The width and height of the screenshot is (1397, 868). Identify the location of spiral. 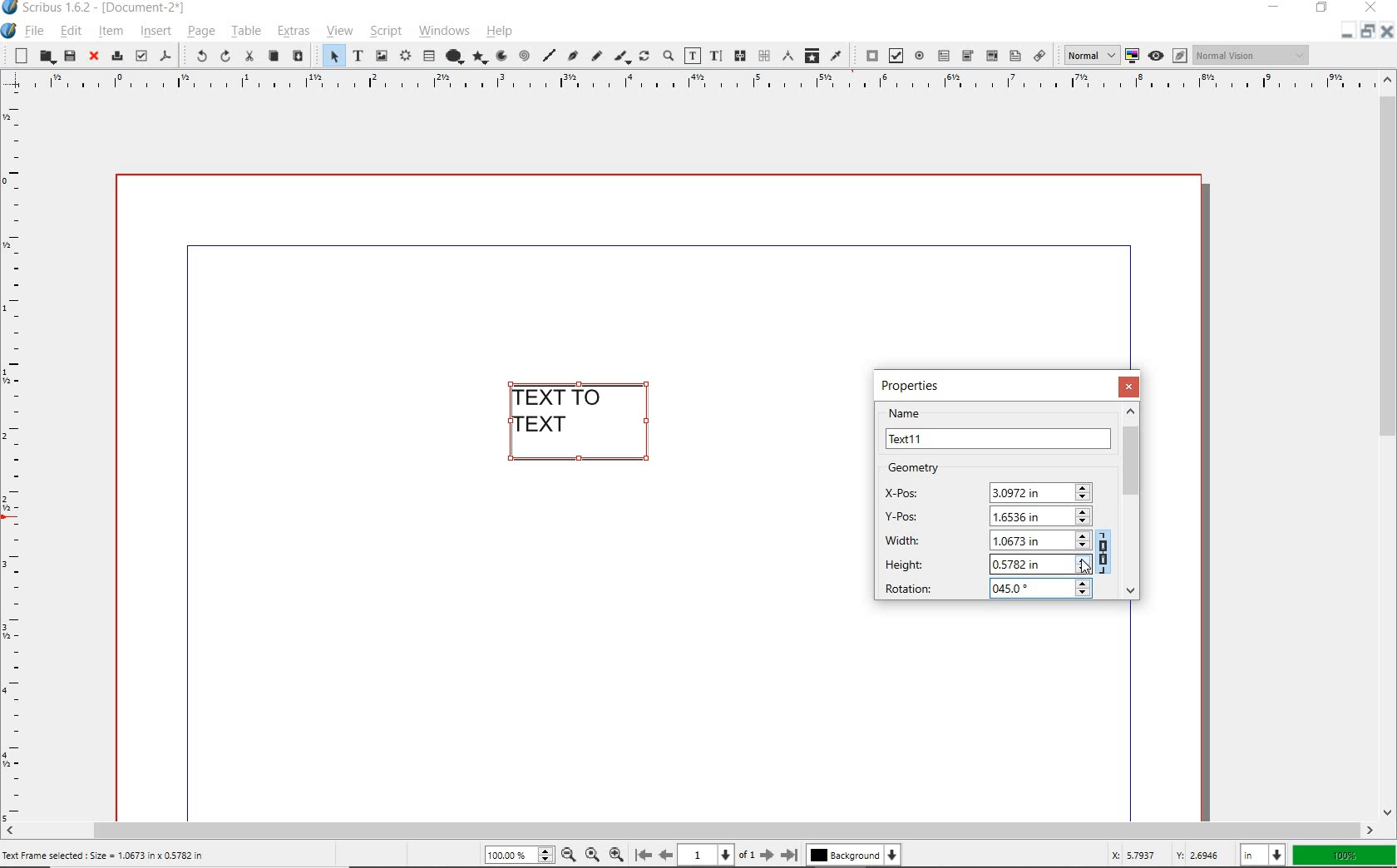
(523, 55).